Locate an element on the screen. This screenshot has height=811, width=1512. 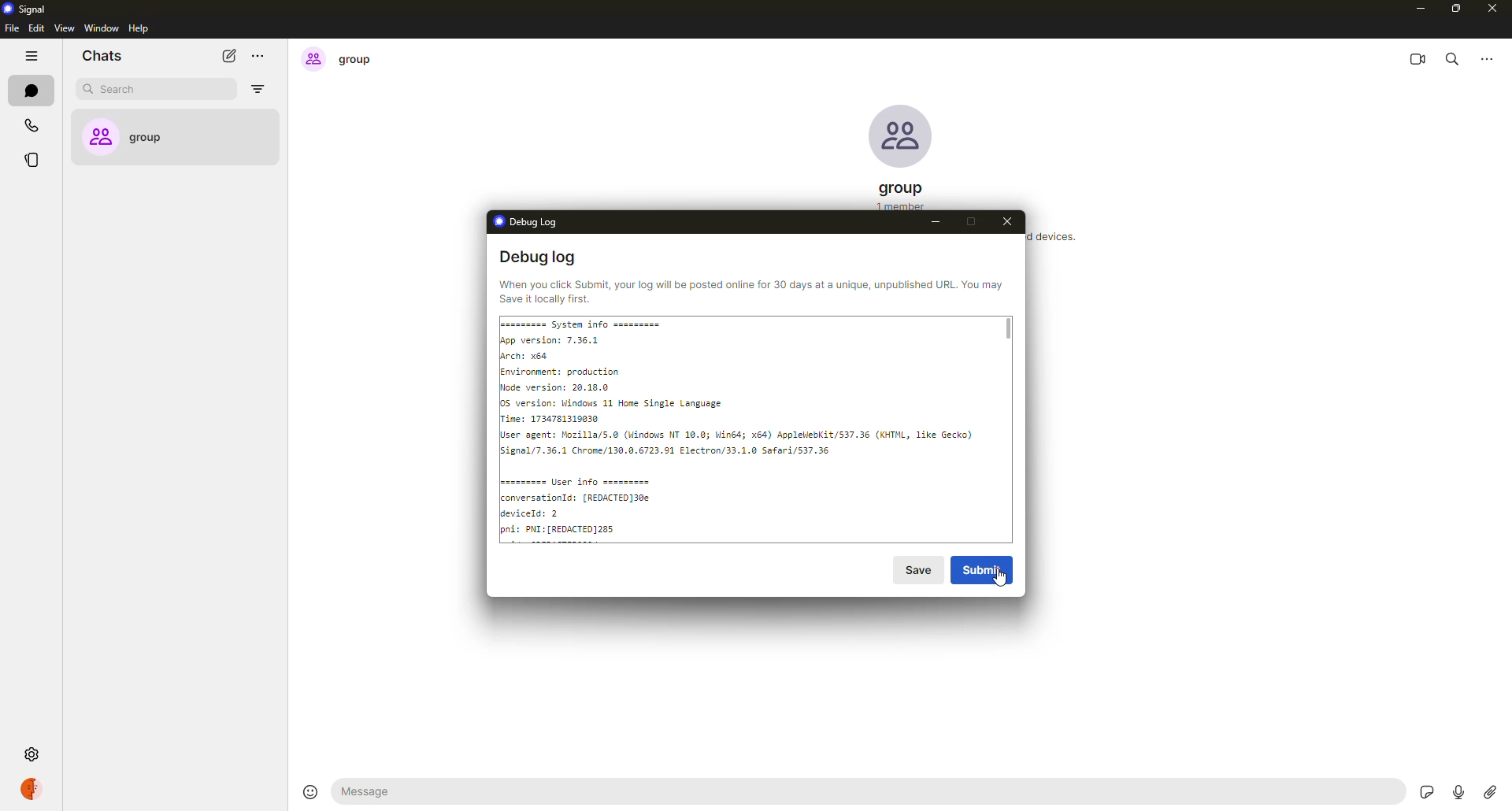
file is located at coordinates (11, 30).